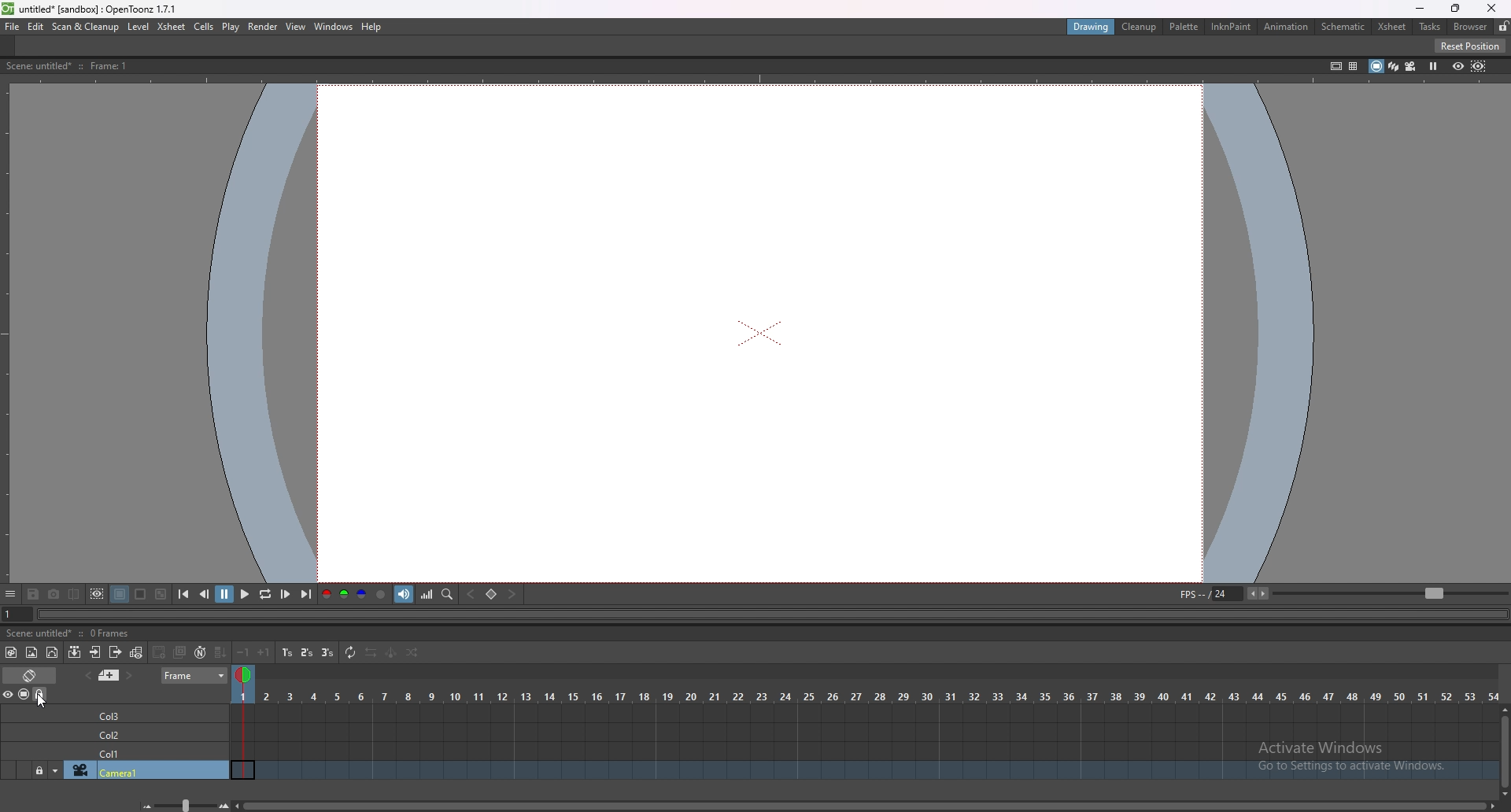  Describe the element at coordinates (1429, 27) in the screenshot. I see `tasks` at that location.